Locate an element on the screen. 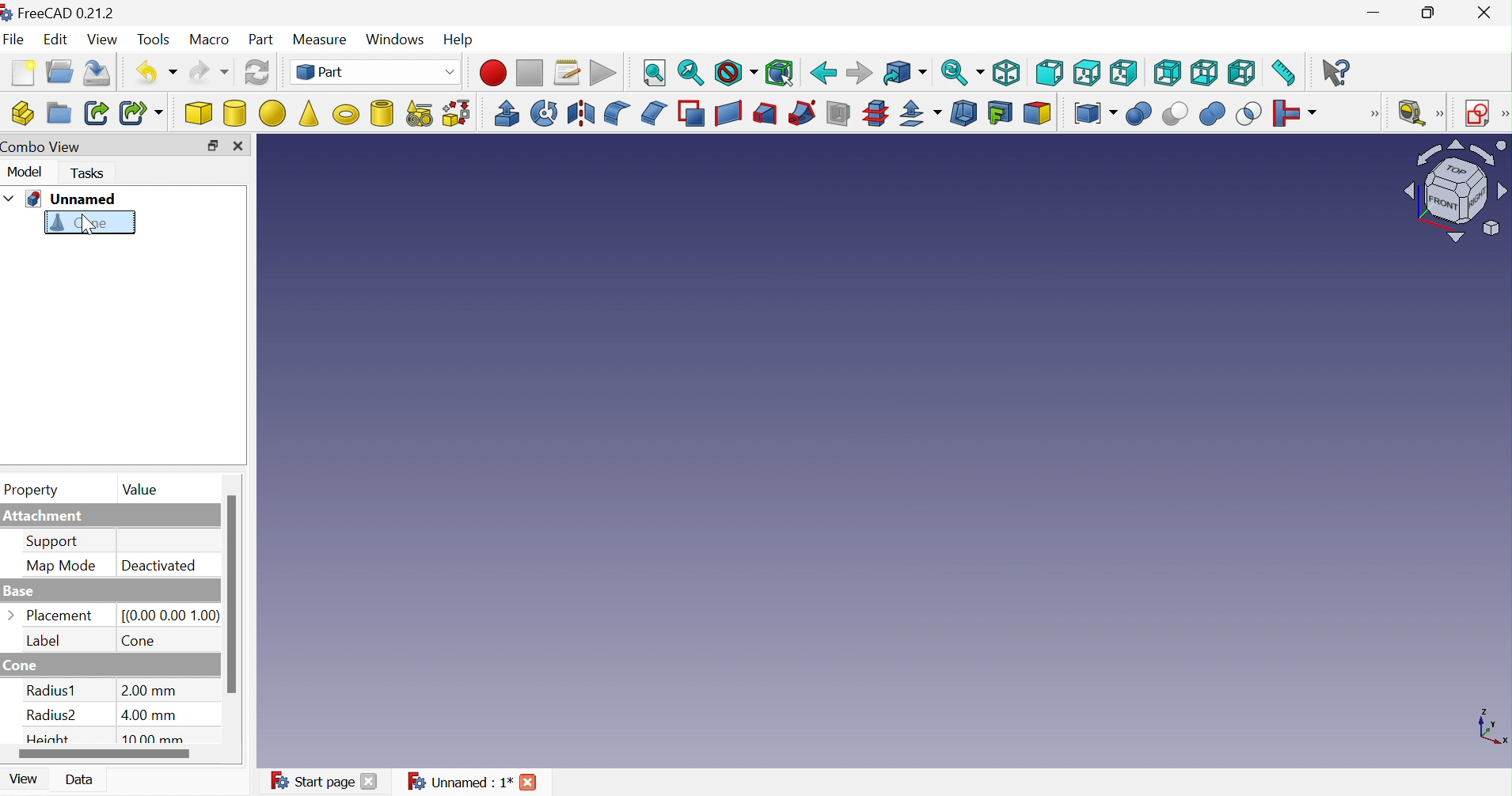  Windows is located at coordinates (396, 38).